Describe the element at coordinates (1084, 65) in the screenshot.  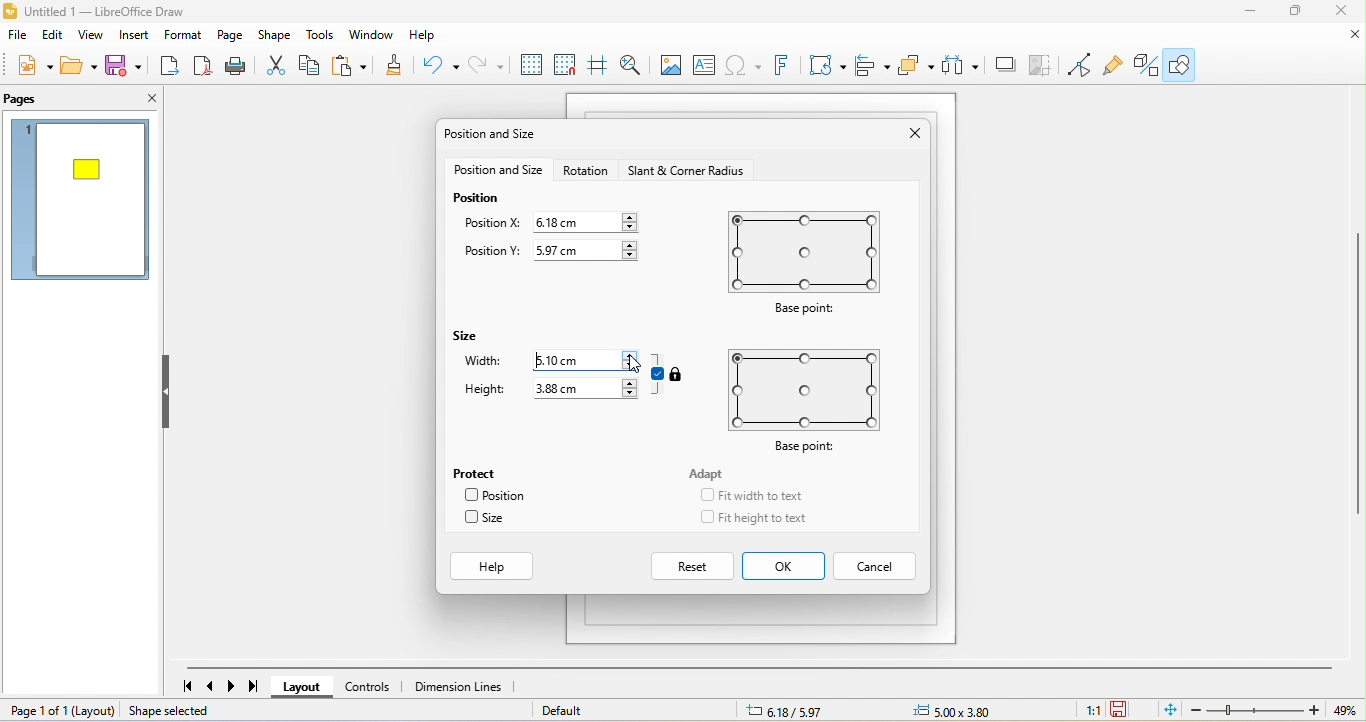
I see `toggle point edit mode` at that location.